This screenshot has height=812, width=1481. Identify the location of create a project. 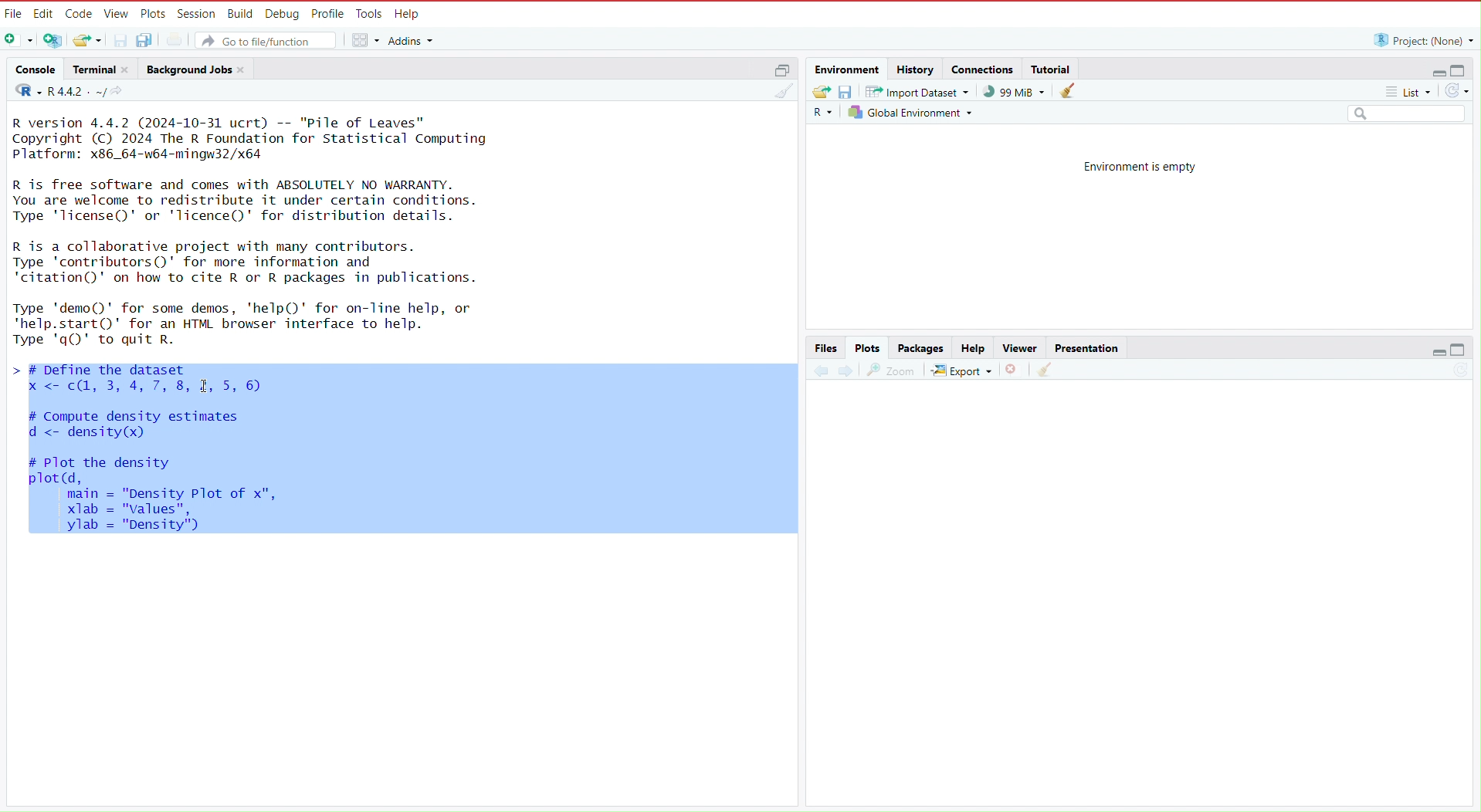
(51, 39).